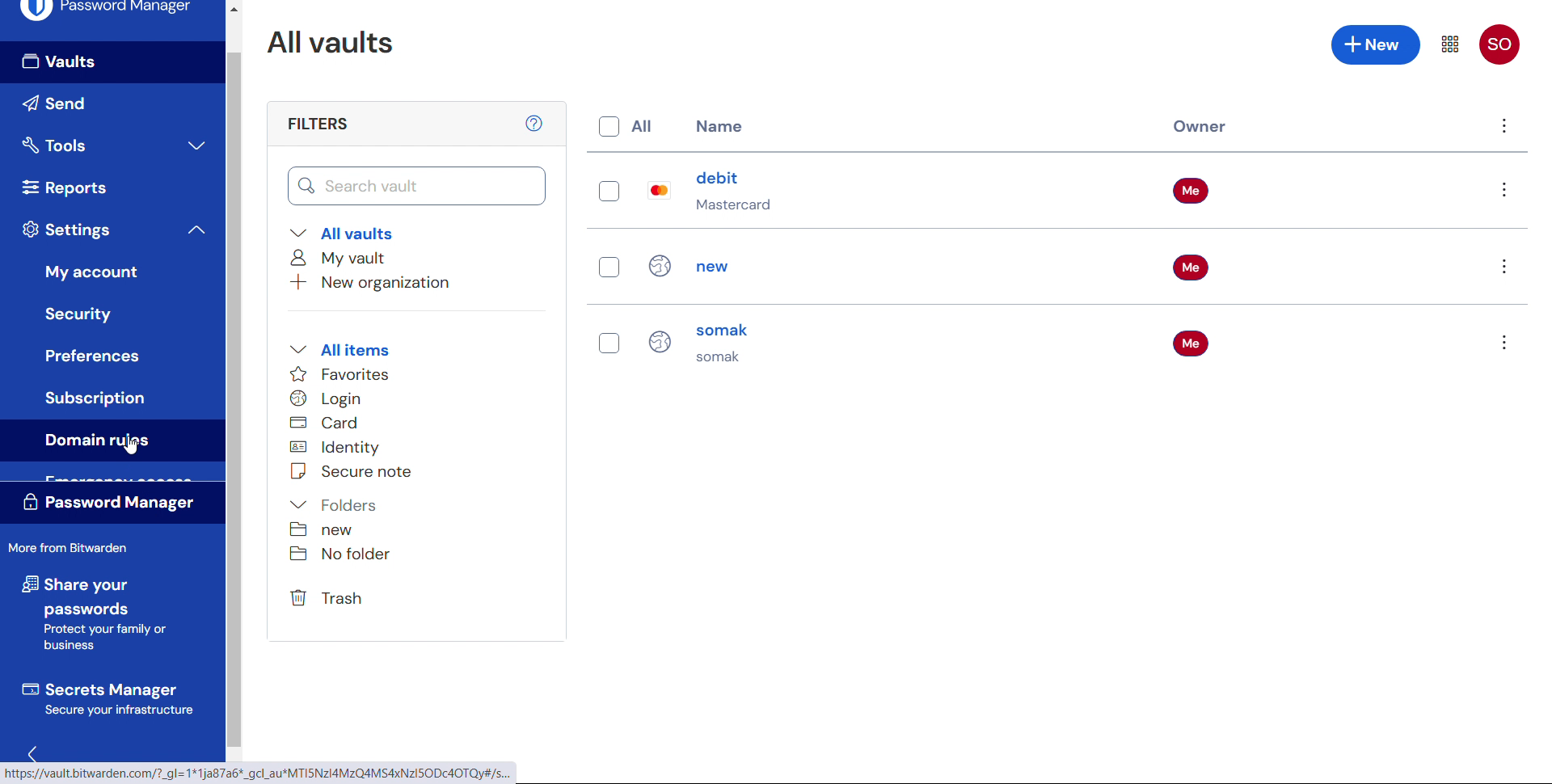 The height and width of the screenshot is (784, 1552). I want to click on Menu , so click(1449, 44).